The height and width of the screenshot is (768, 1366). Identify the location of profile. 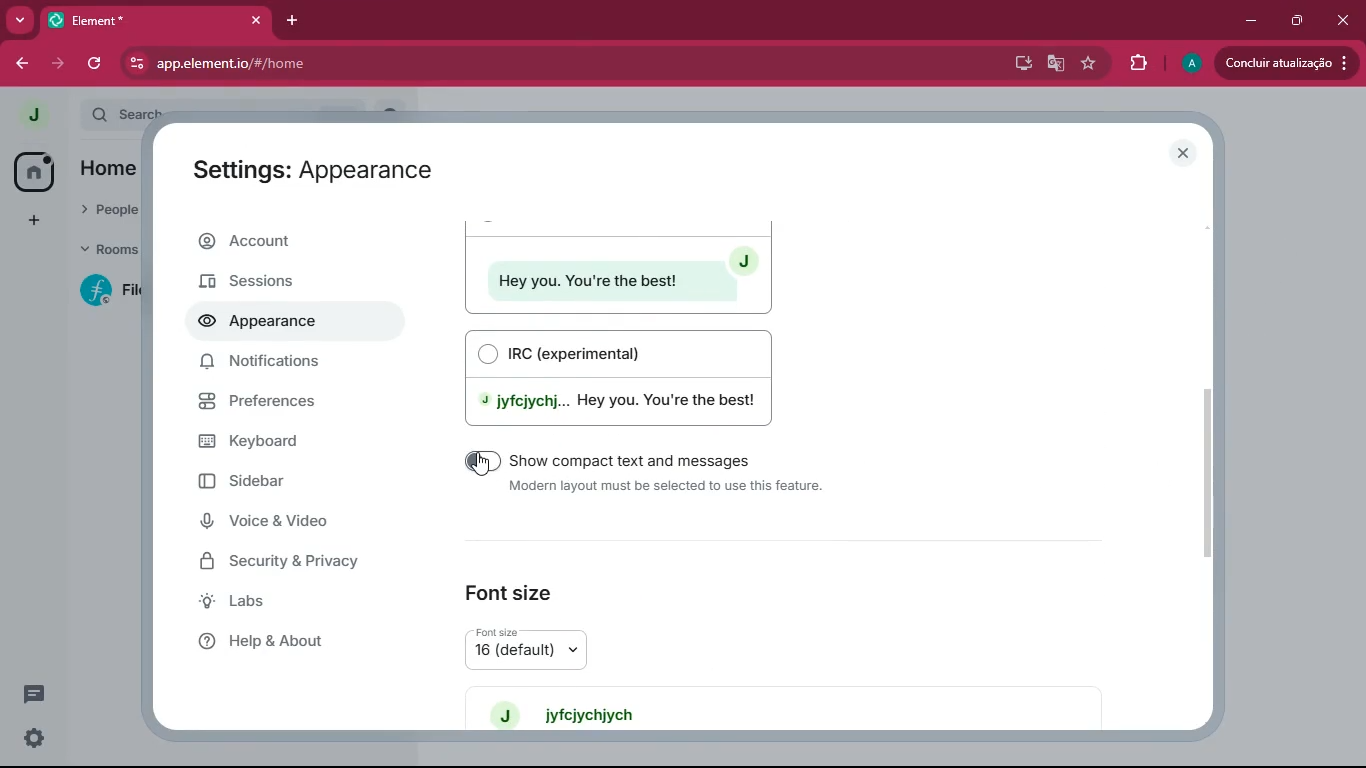
(1188, 65).